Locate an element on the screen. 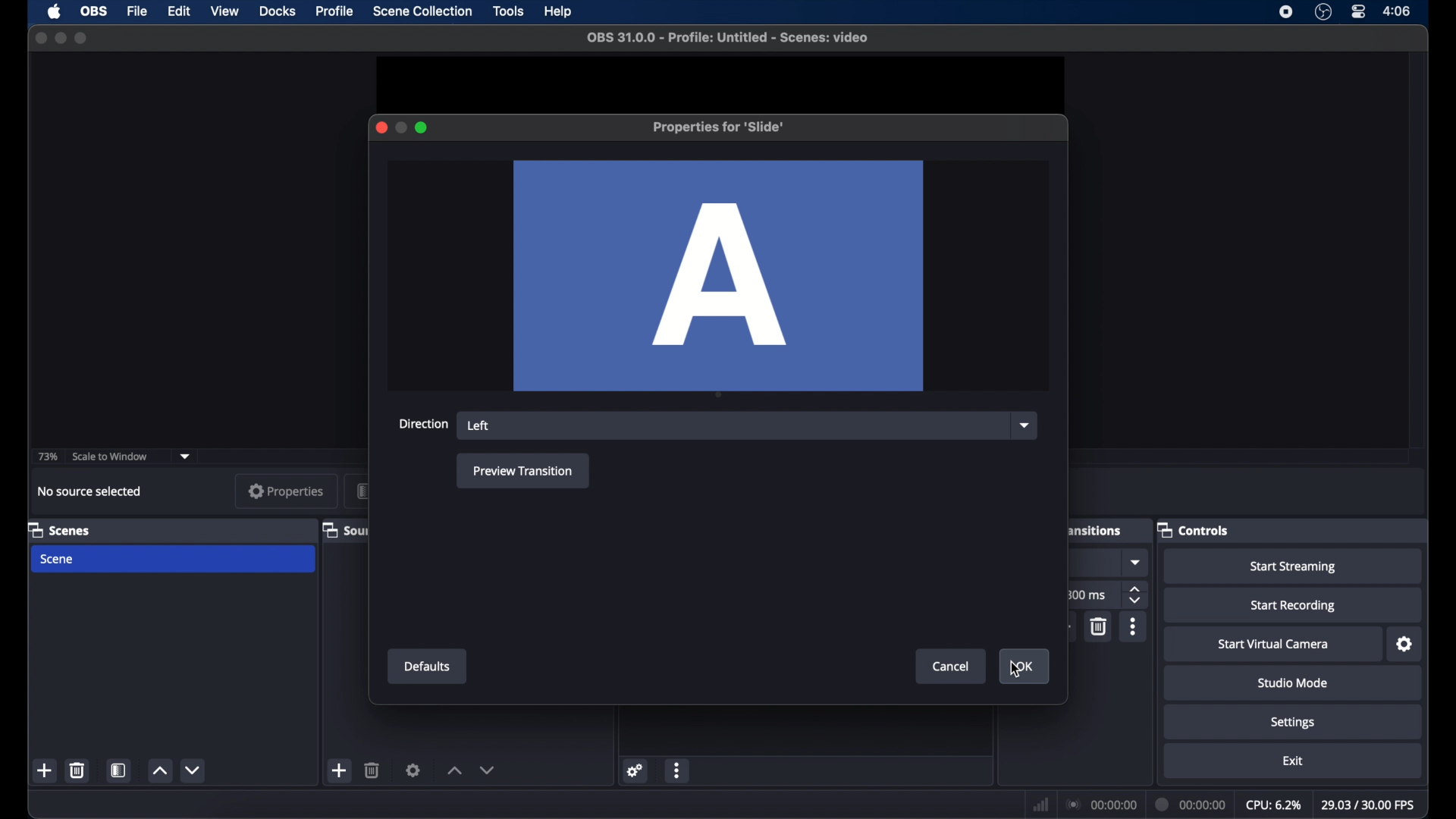 This screenshot has height=819, width=1456. cpu is located at coordinates (1274, 804).